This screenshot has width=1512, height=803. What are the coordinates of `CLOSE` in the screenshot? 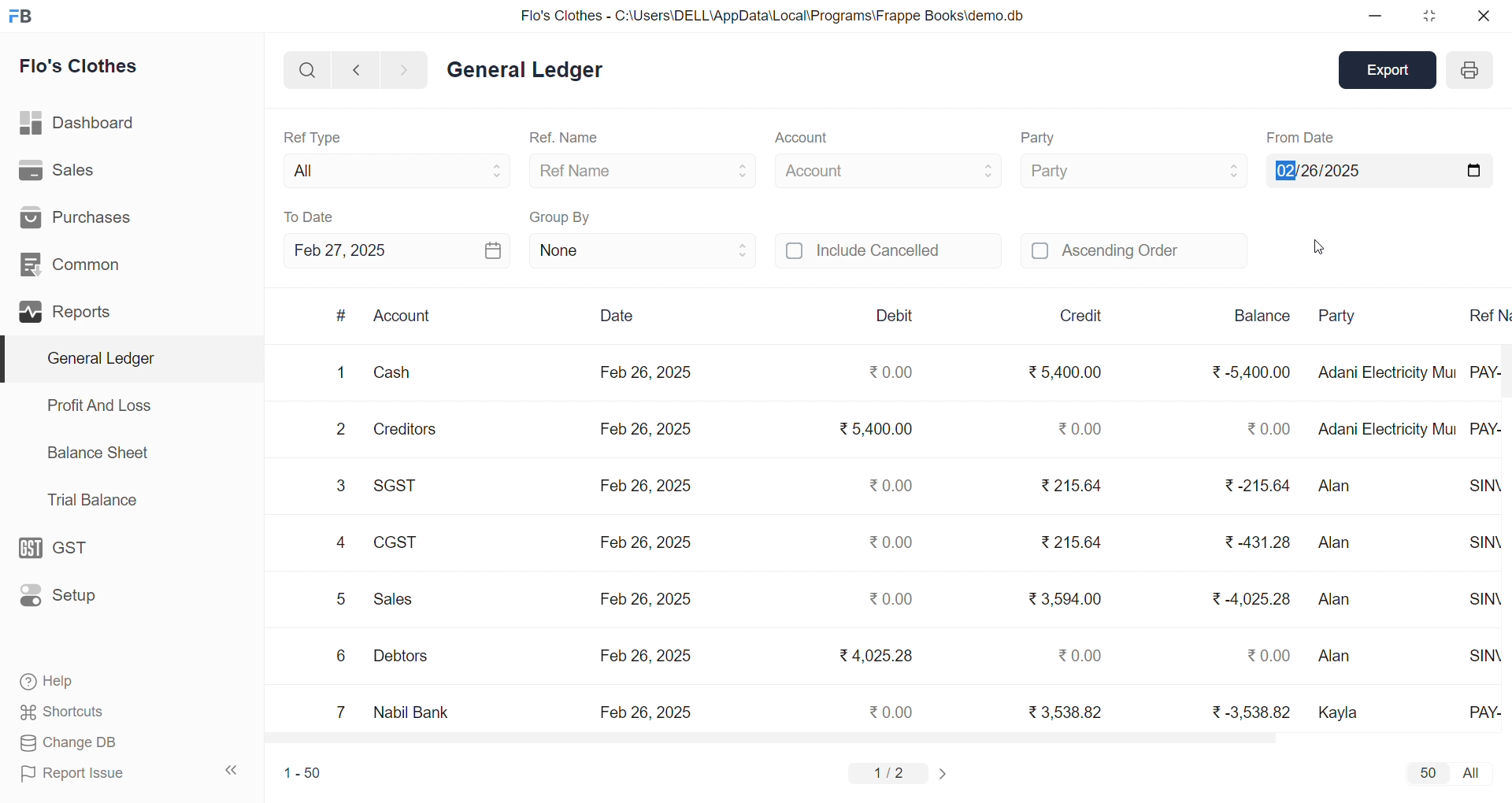 It's located at (1482, 16).